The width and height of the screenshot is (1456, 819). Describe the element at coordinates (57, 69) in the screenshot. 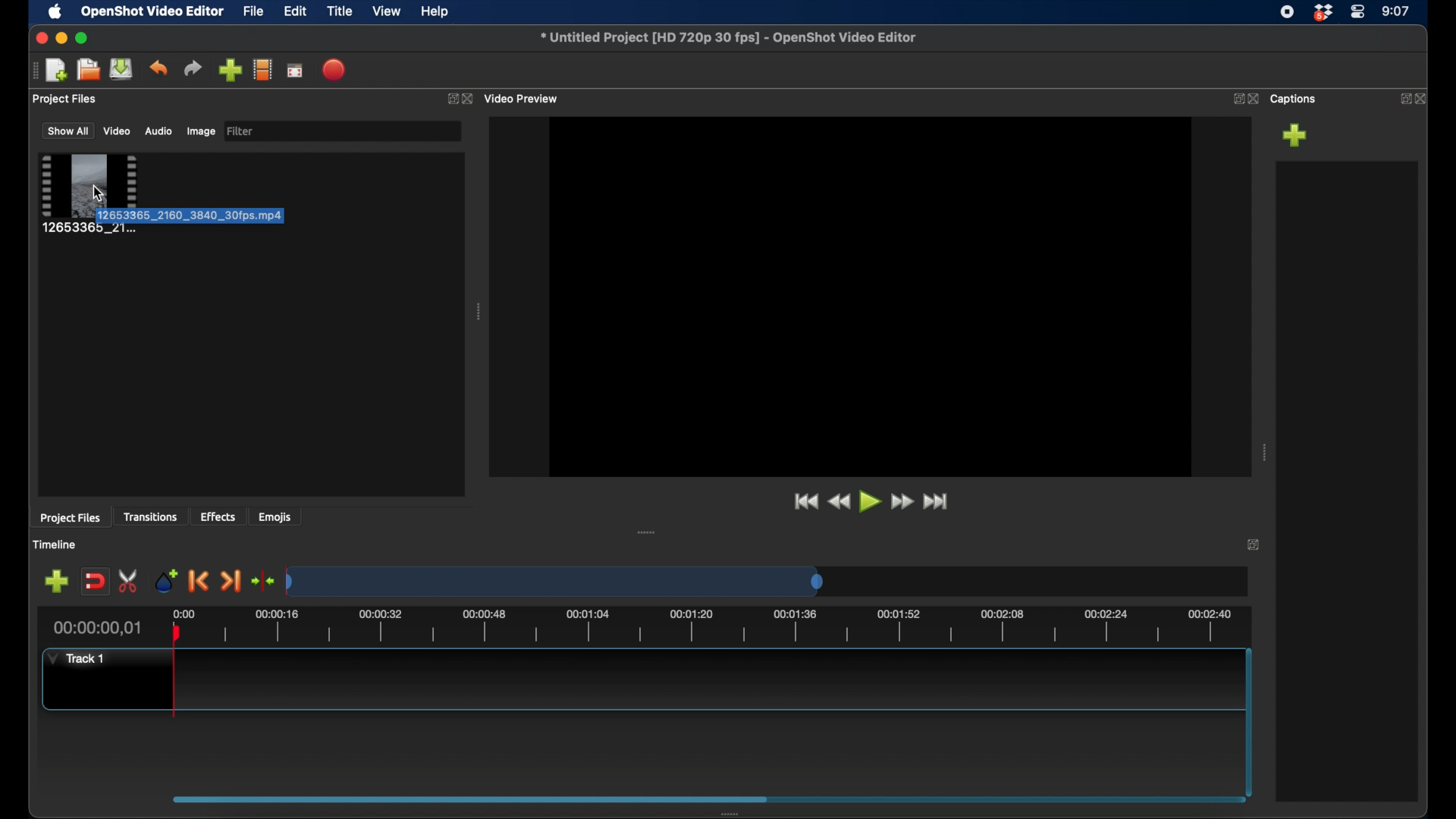

I see `new project` at that location.